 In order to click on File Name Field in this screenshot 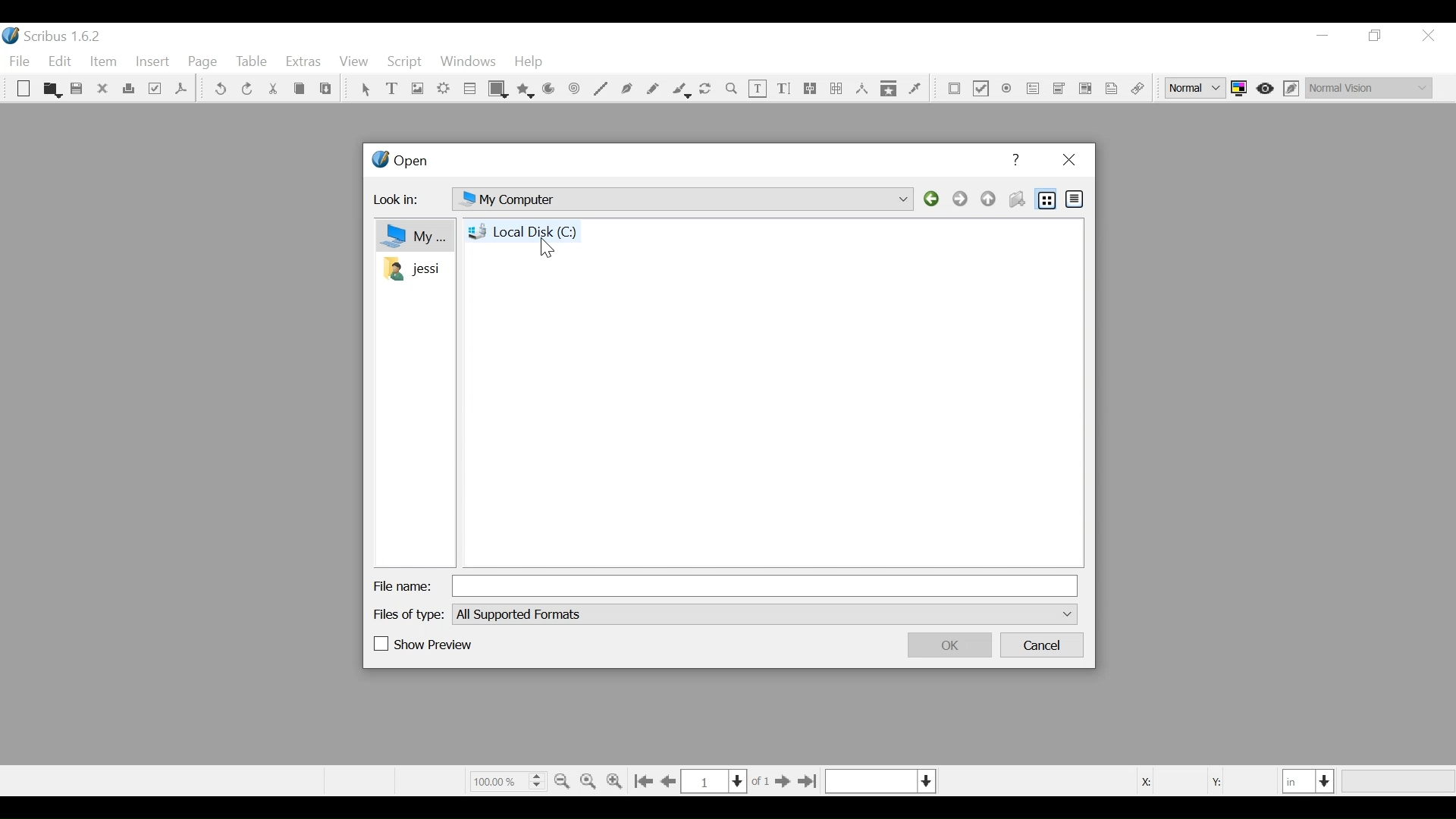, I will do `click(767, 585)`.